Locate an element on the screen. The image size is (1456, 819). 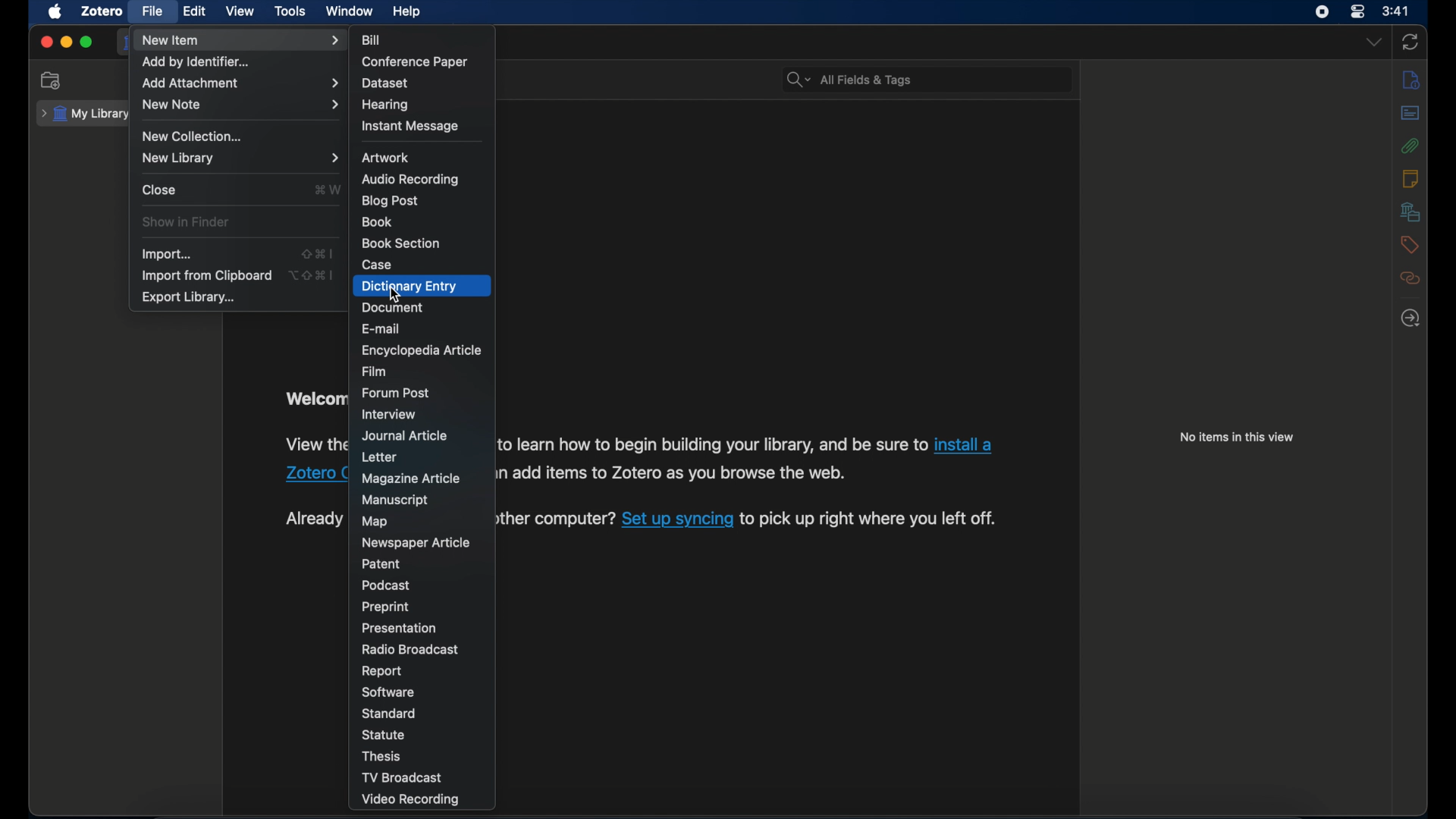
dropdown is located at coordinates (1373, 42).